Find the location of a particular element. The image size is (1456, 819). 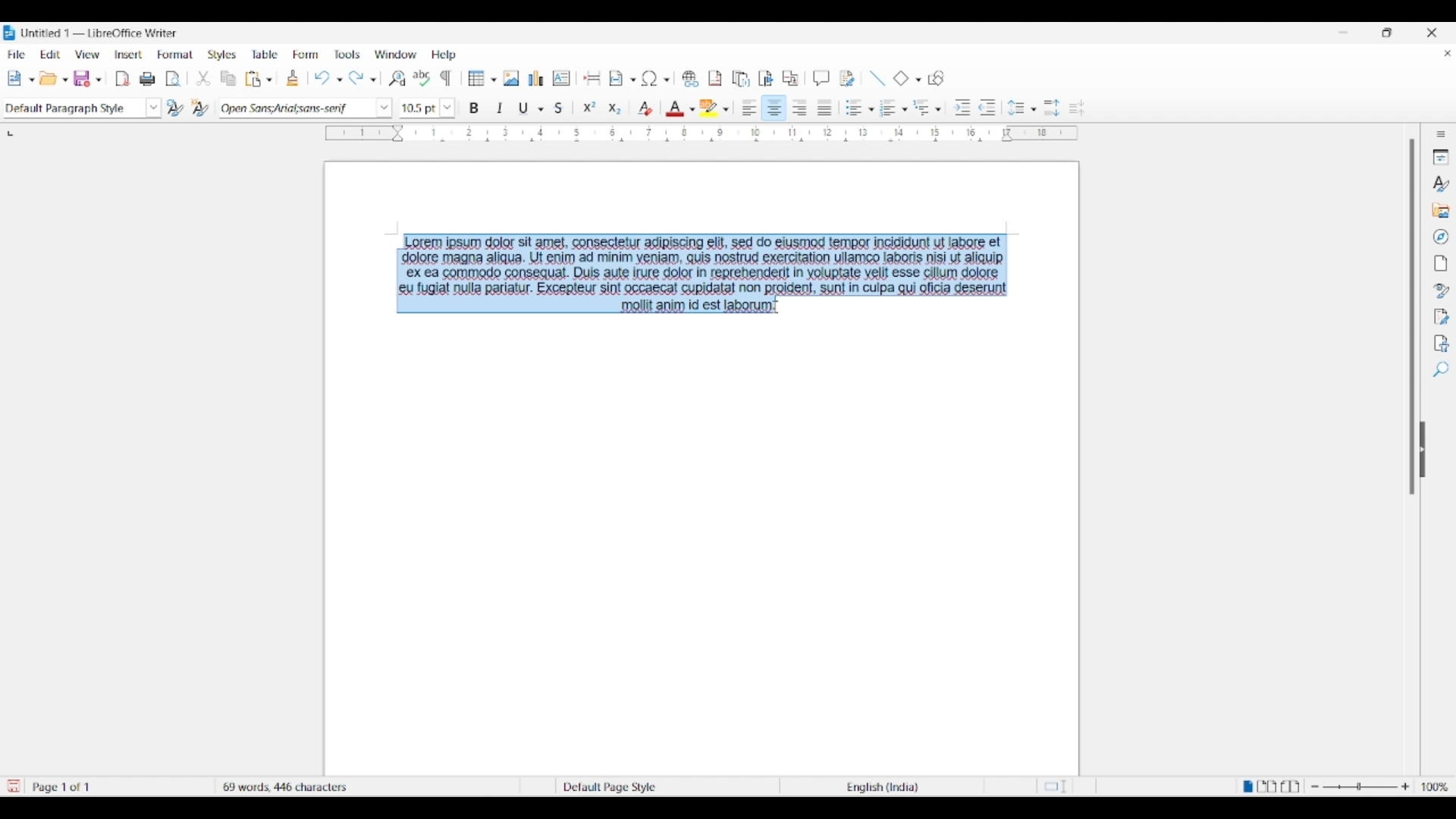

Manually change font is located at coordinates (295, 108).